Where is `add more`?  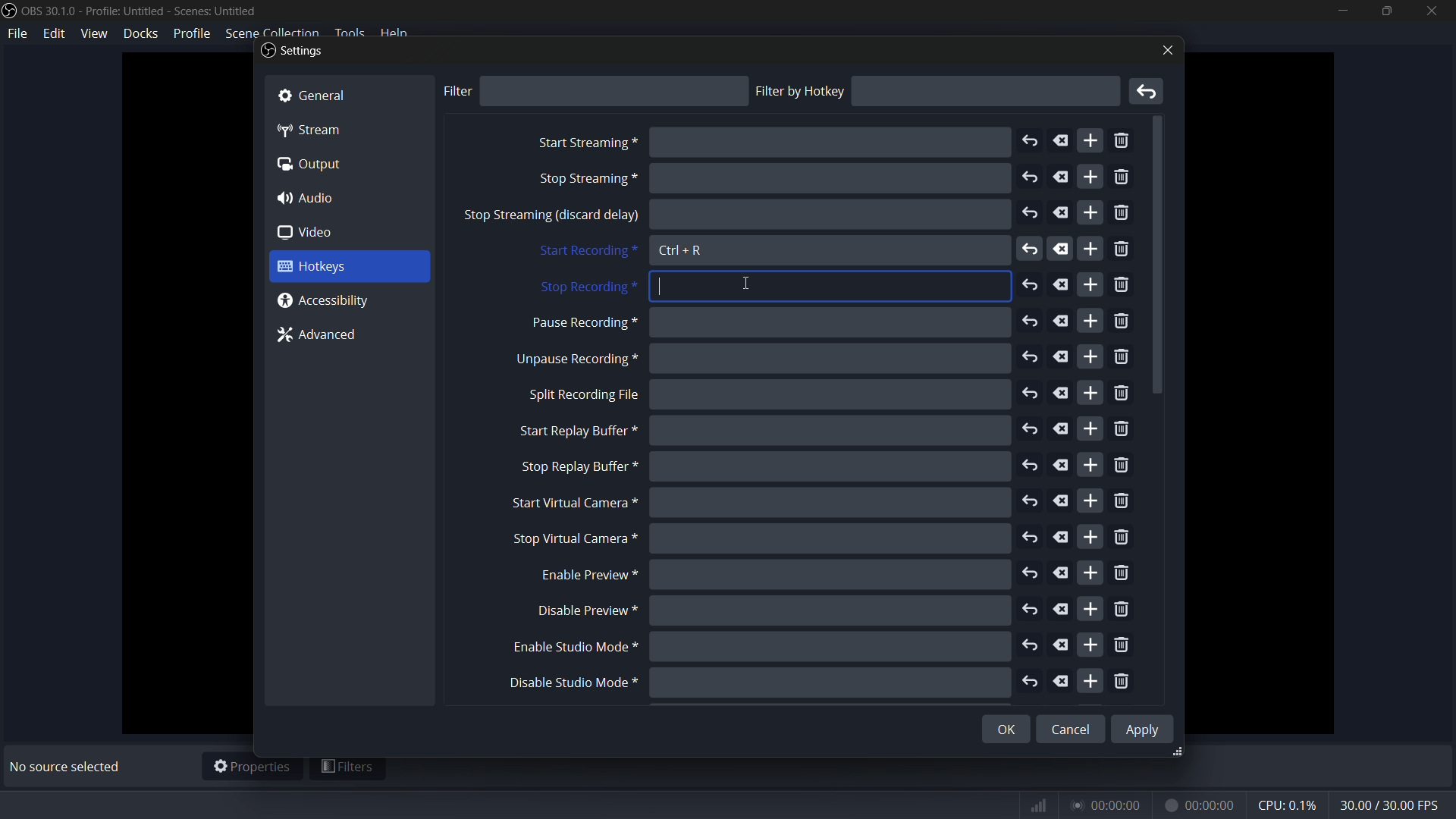 add more is located at coordinates (1092, 249).